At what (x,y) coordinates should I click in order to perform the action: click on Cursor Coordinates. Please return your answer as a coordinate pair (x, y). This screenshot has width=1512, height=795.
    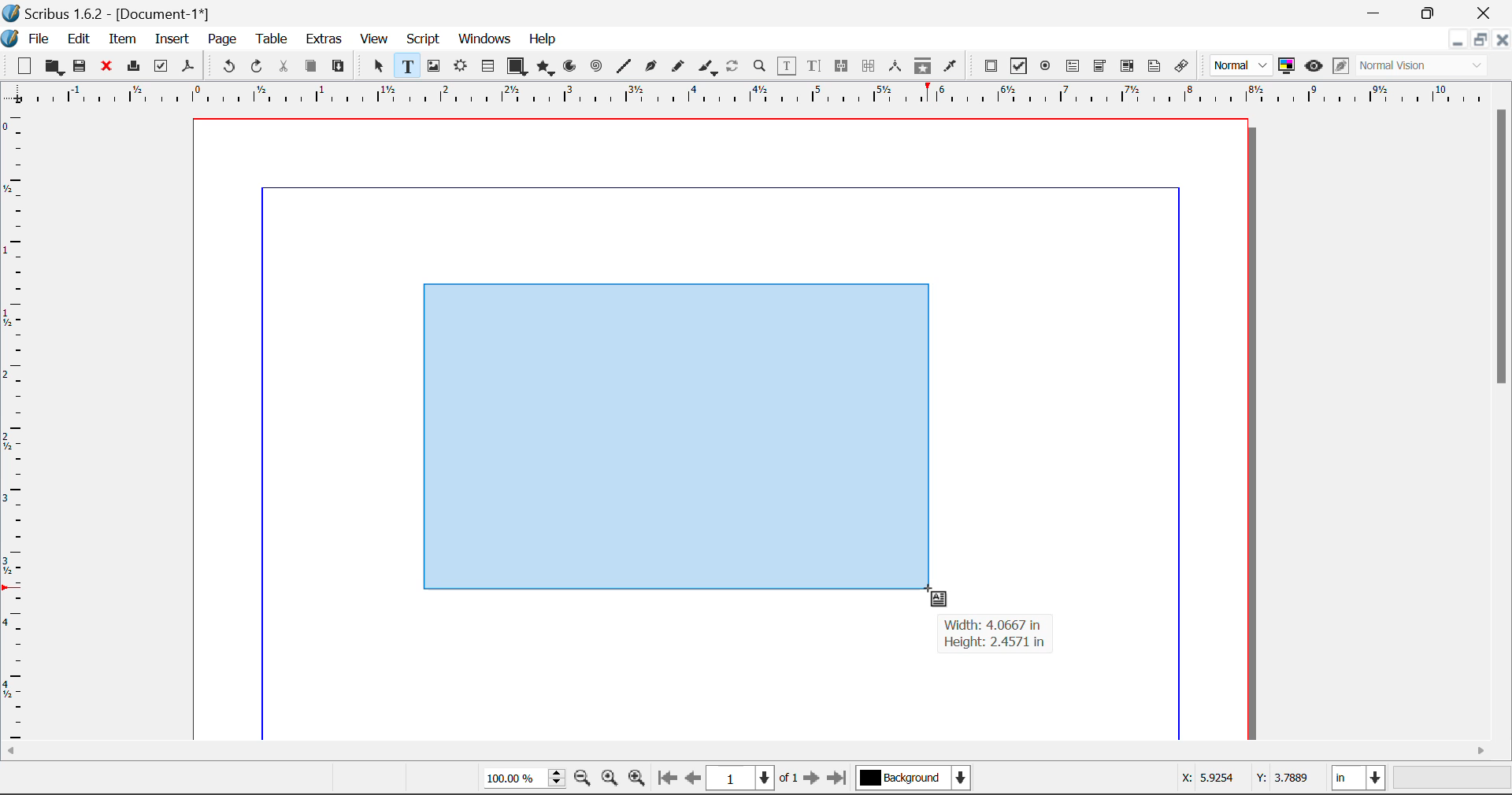
    Looking at the image, I should click on (1247, 780).